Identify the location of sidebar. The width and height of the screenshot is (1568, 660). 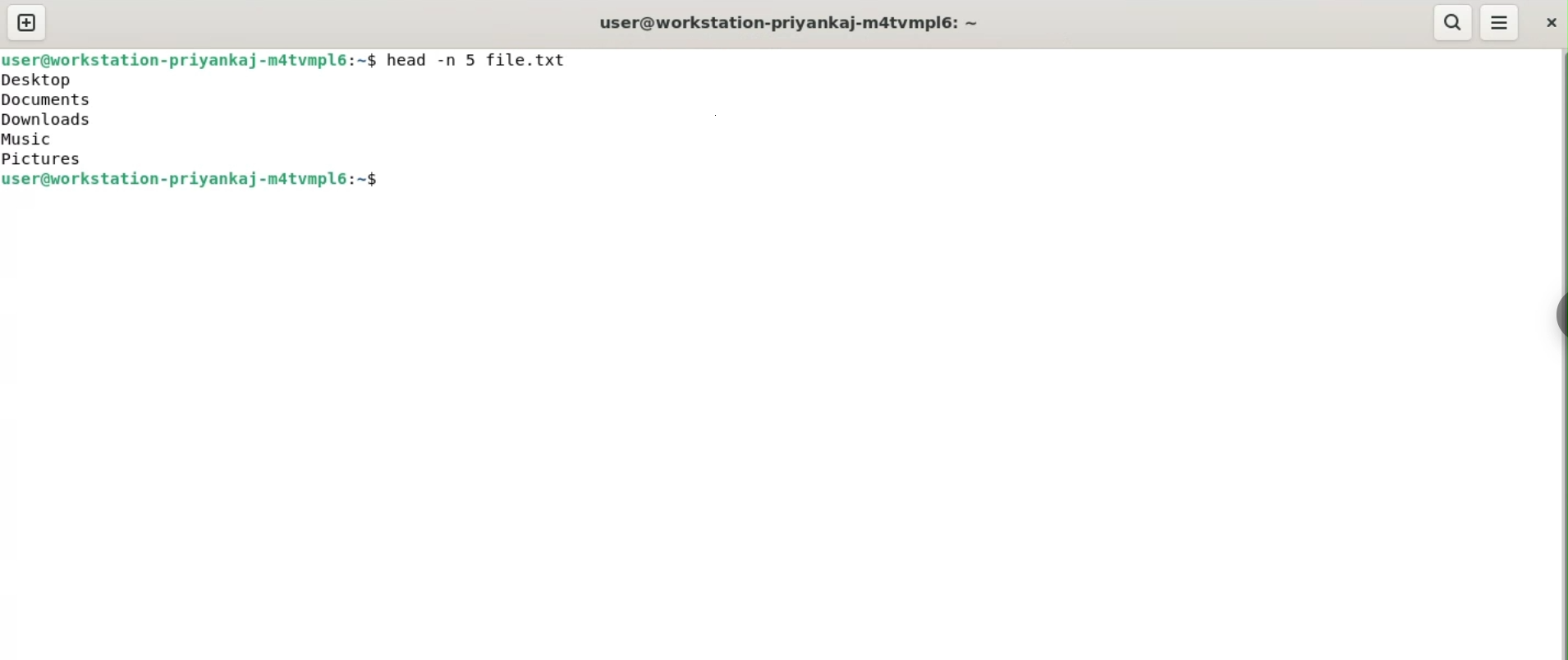
(1560, 316).